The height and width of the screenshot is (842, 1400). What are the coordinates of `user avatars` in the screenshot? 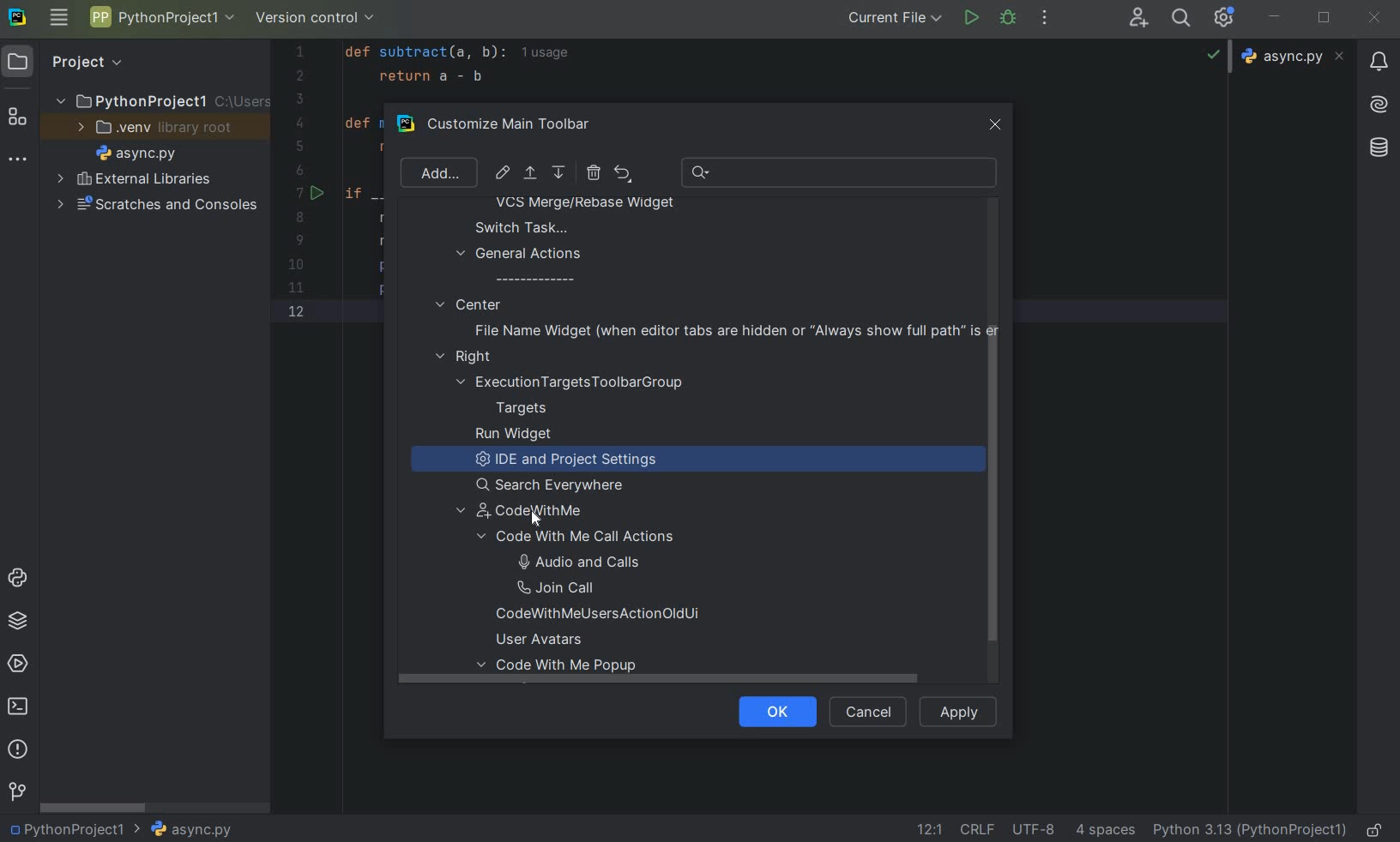 It's located at (546, 640).